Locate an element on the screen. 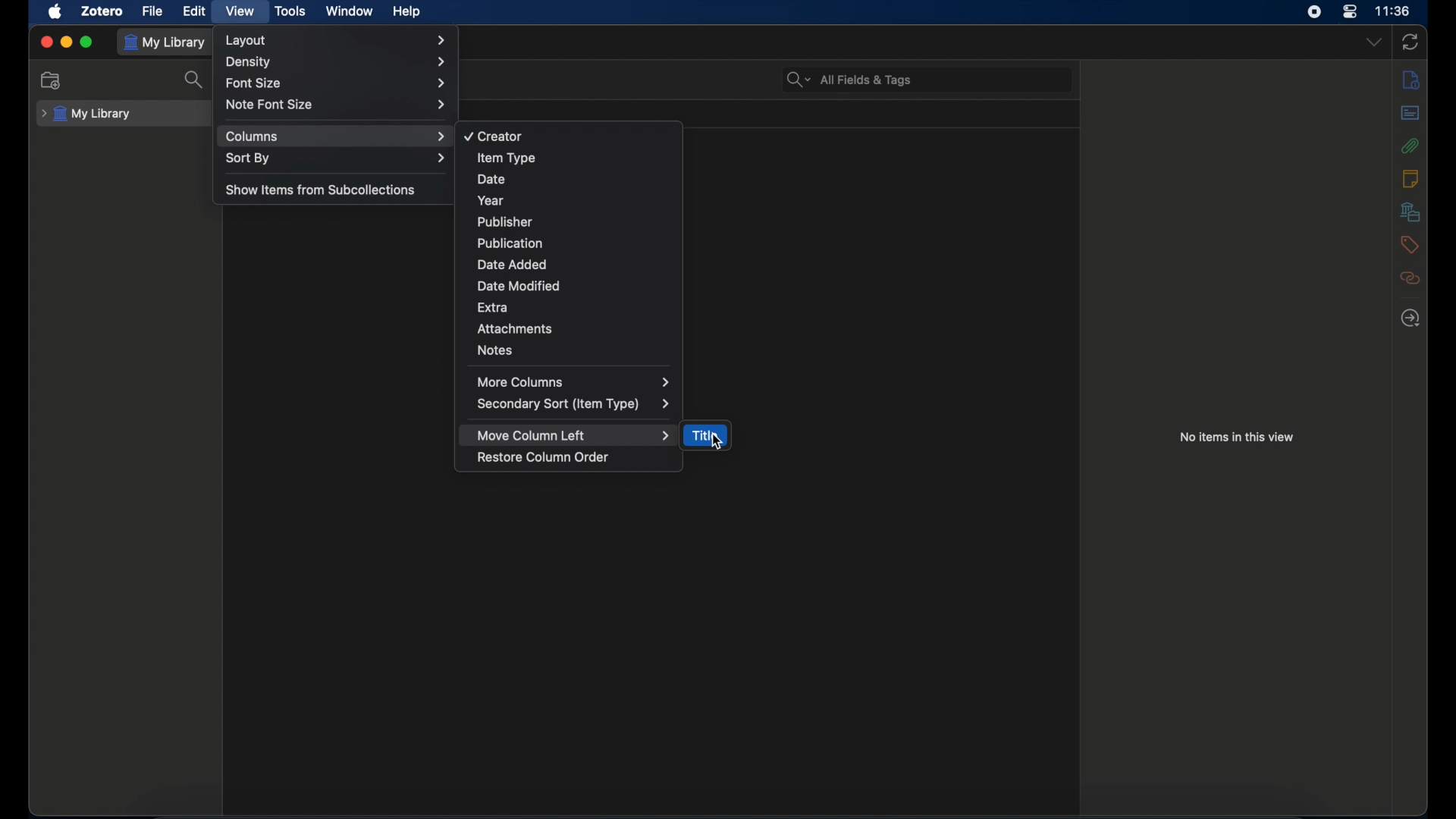  search bar is located at coordinates (850, 80).